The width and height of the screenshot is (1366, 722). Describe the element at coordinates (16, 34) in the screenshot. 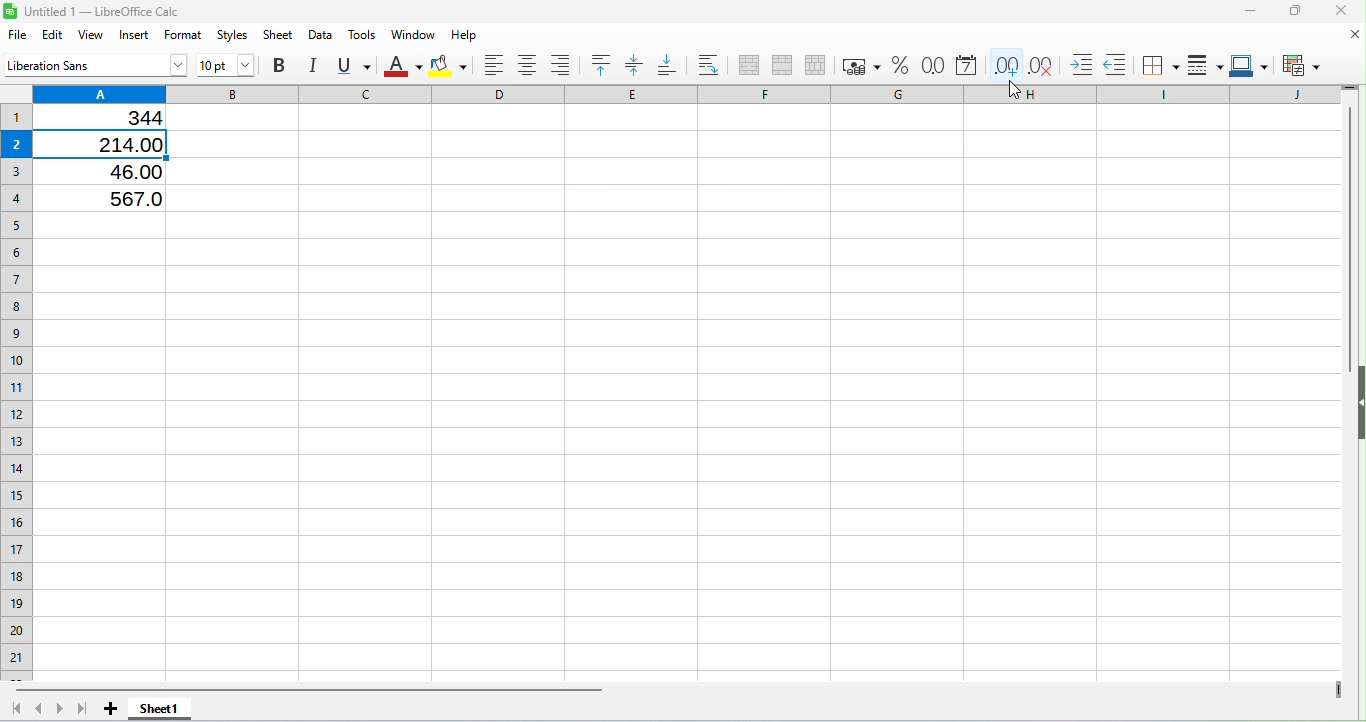

I see `File` at that location.